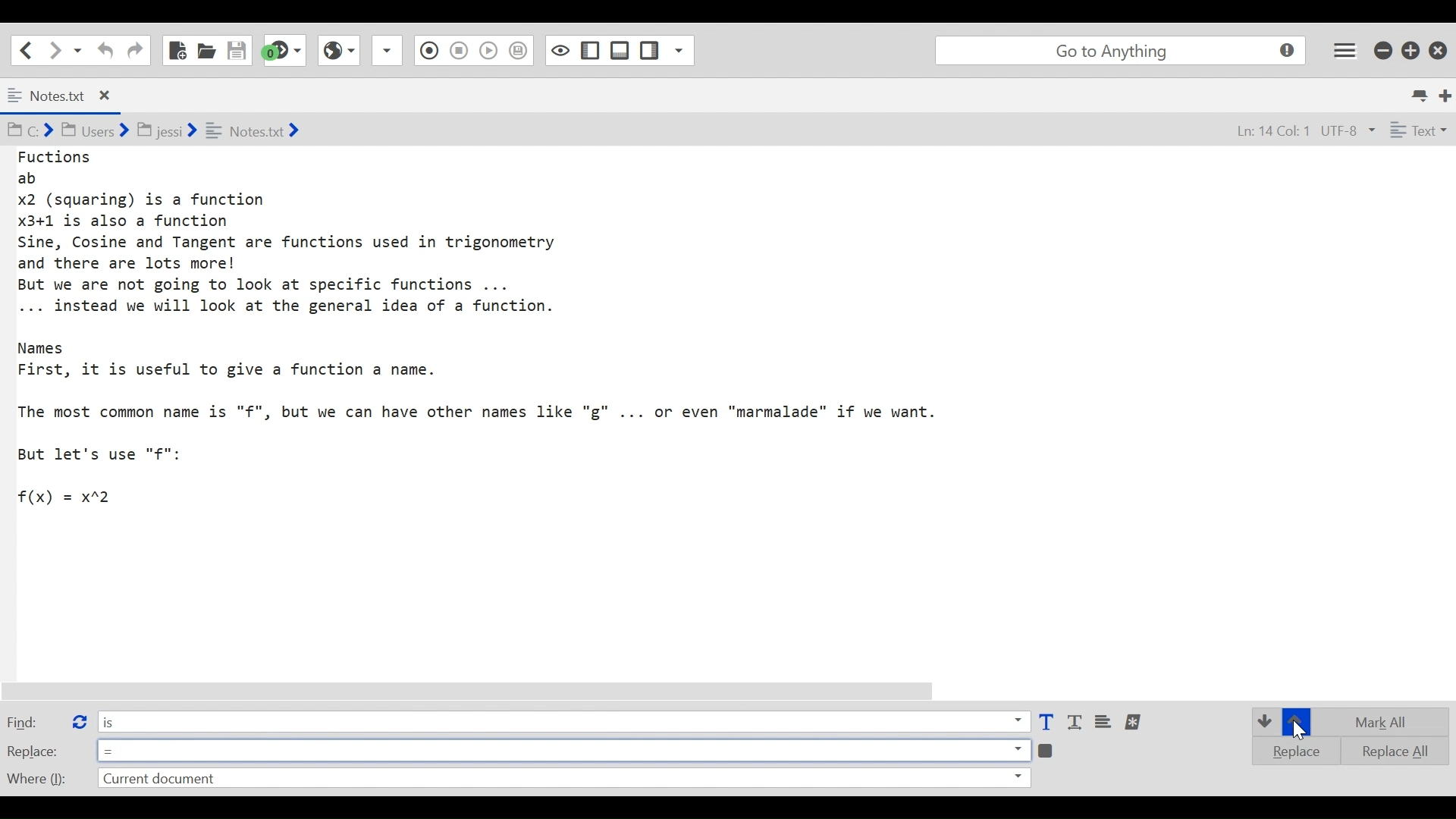 This screenshot has width=1456, height=819. What do you see at coordinates (563, 720) in the screenshot?
I see `is` at bounding box center [563, 720].